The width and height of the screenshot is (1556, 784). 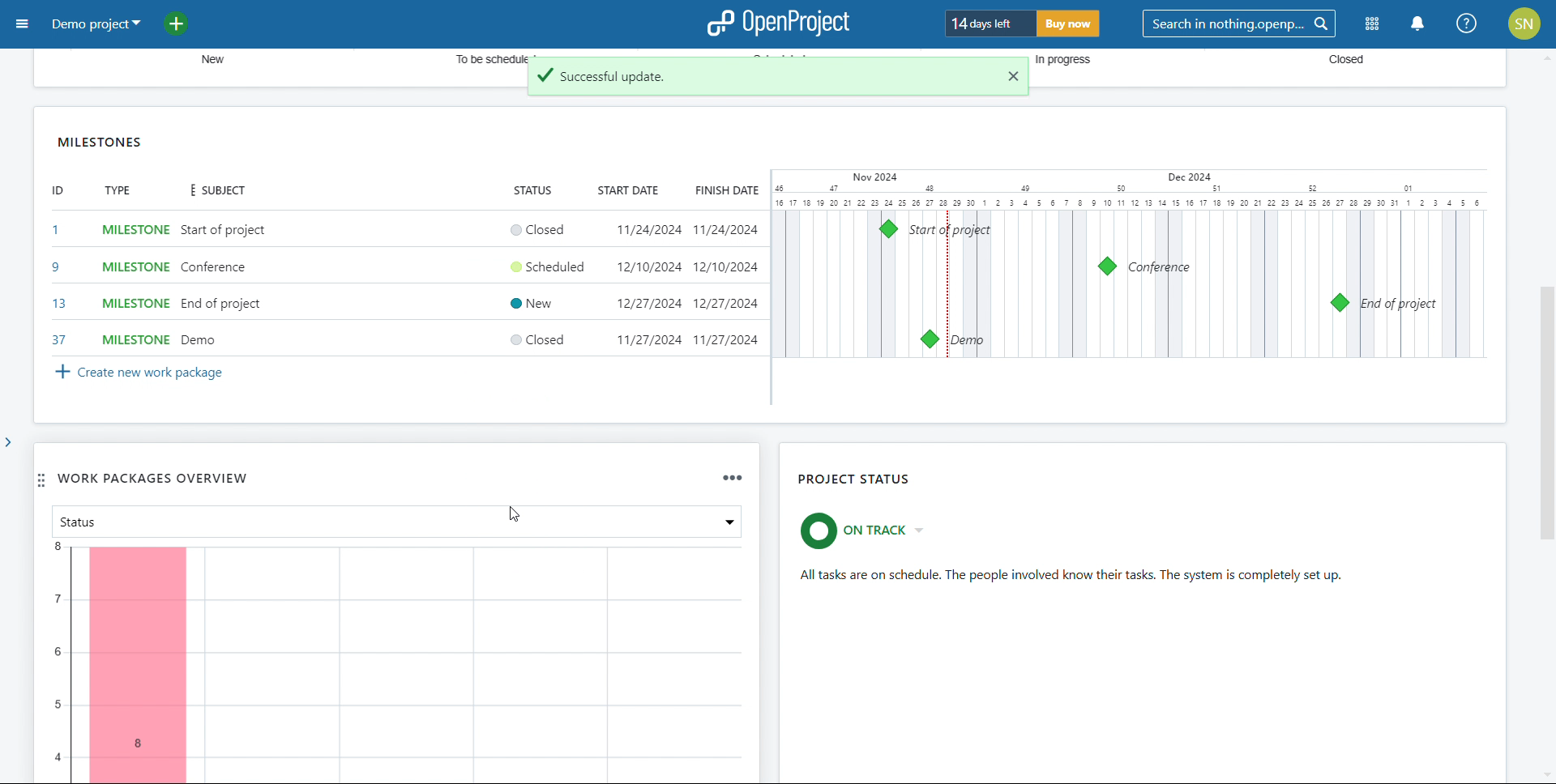 What do you see at coordinates (1108, 266) in the screenshot?
I see `milestone 9` at bounding box center [1108, 266].